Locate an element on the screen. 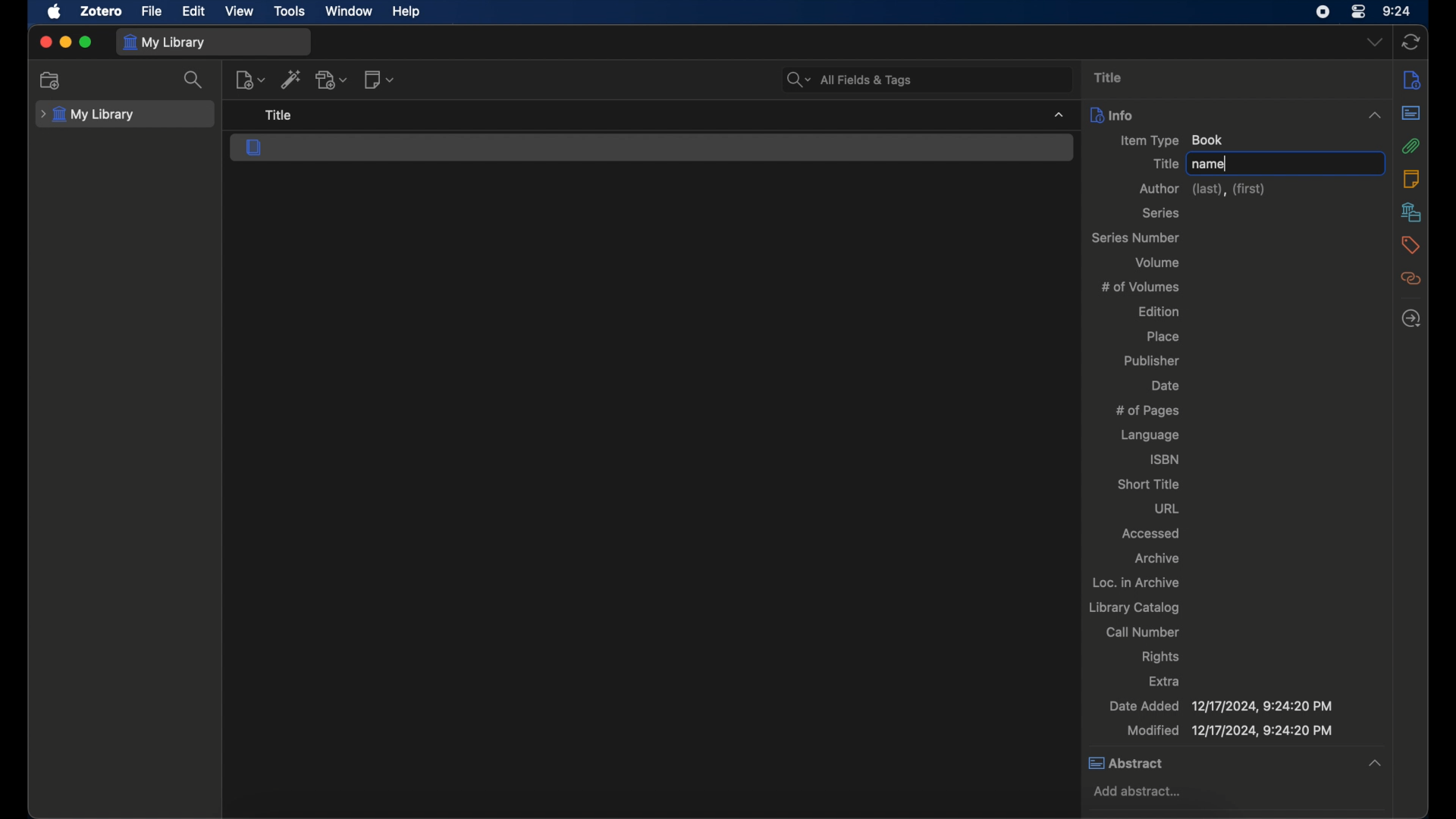  control center is located at coordinates (1359, 11).